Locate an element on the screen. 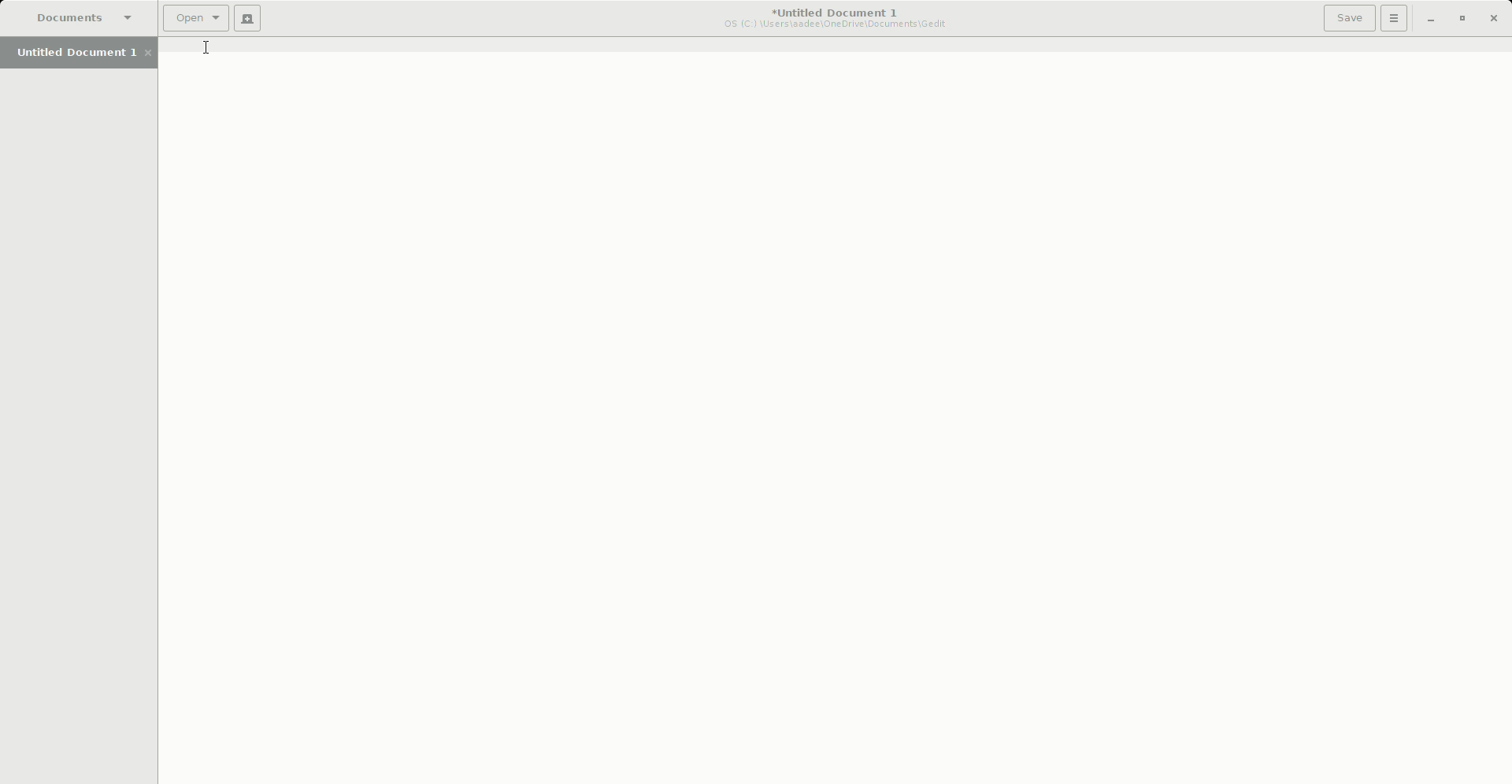 The image size is (1512, 784). Documents is located at coordinates (83, 17).